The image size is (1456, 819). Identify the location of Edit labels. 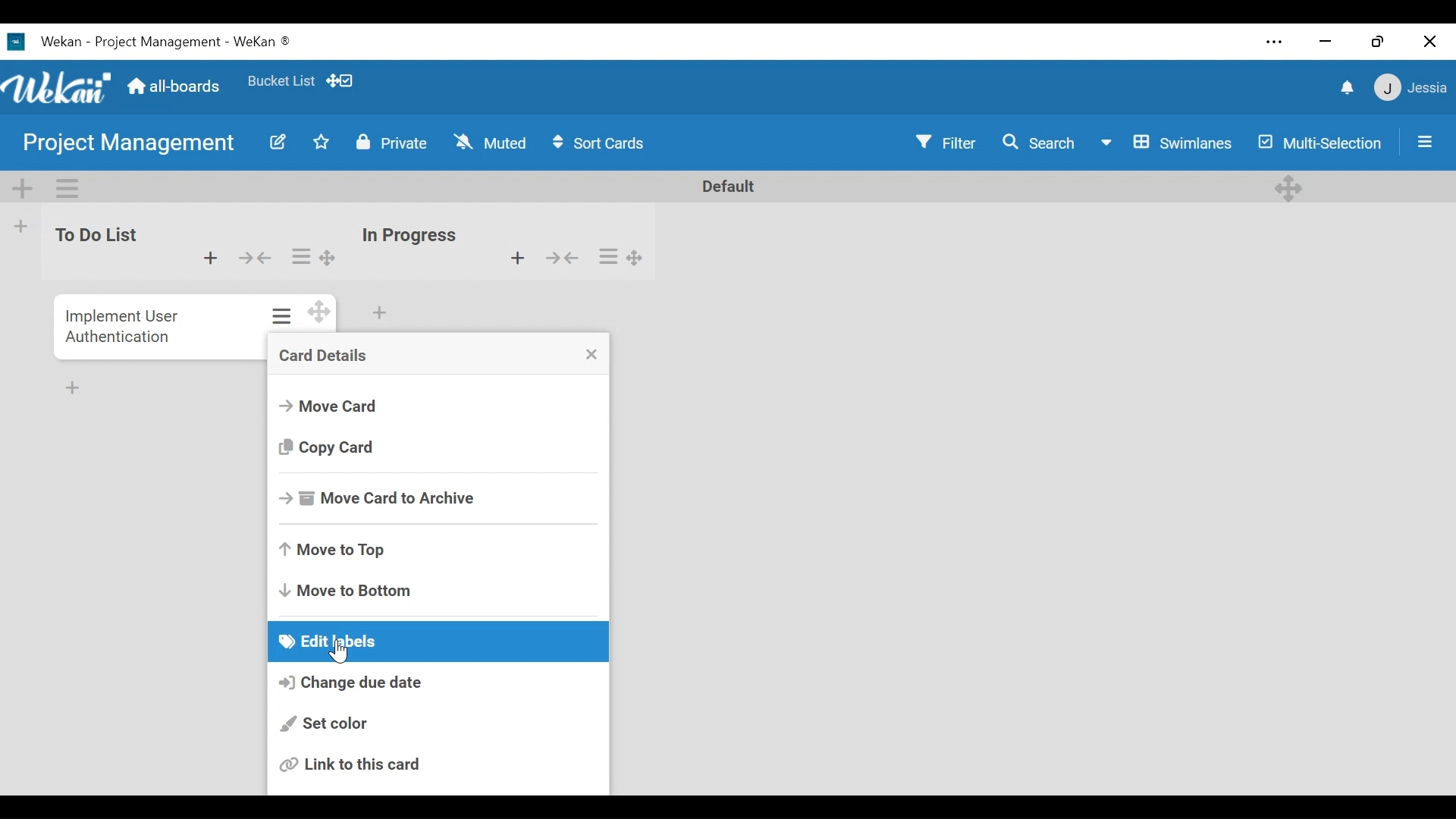
(335, 644).